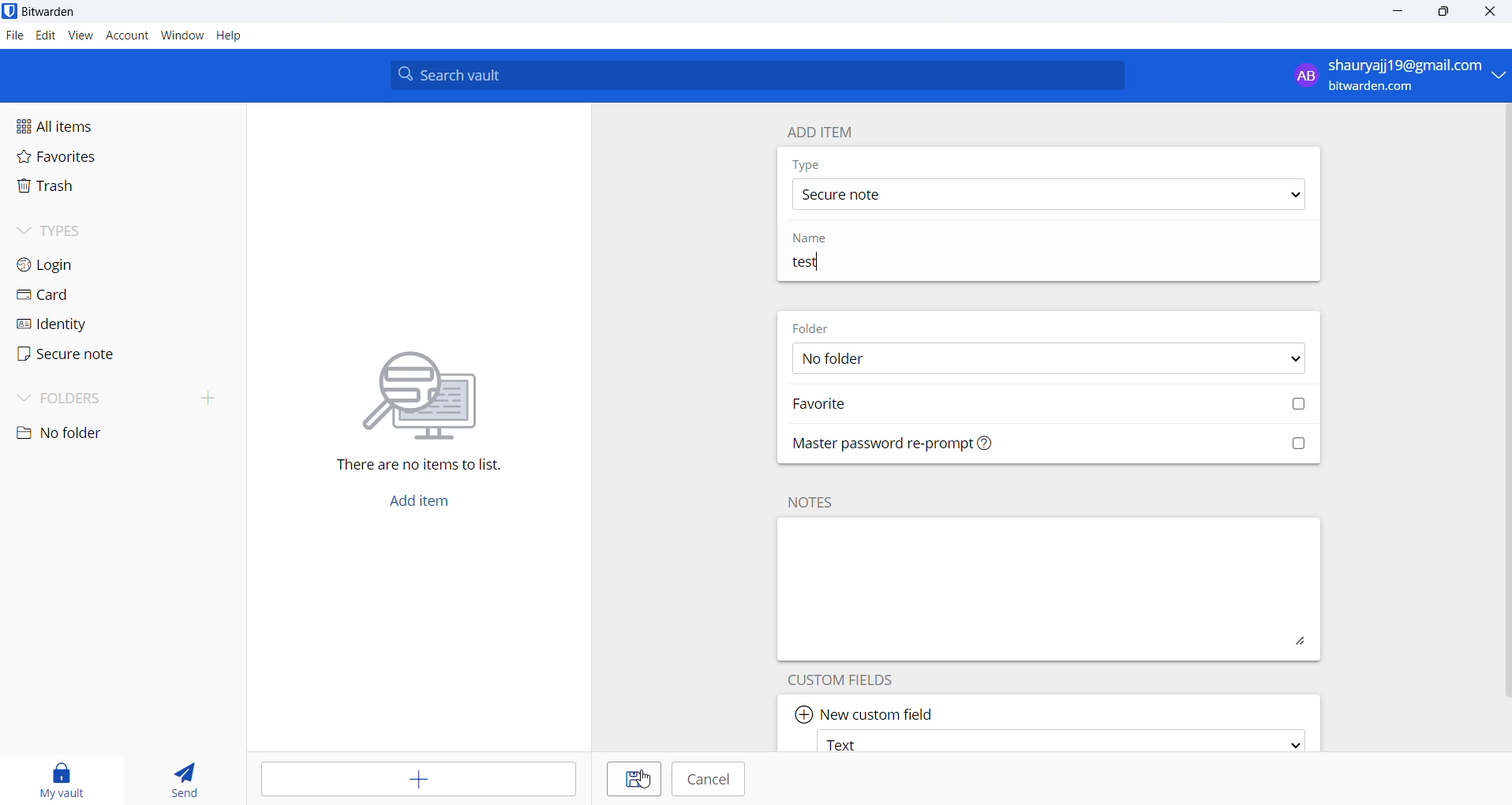 The image size is (1512, 805). What do you see at coordinates (93, 434) in the screenshot?
I see `no folder` at bounding box center [93, 434].